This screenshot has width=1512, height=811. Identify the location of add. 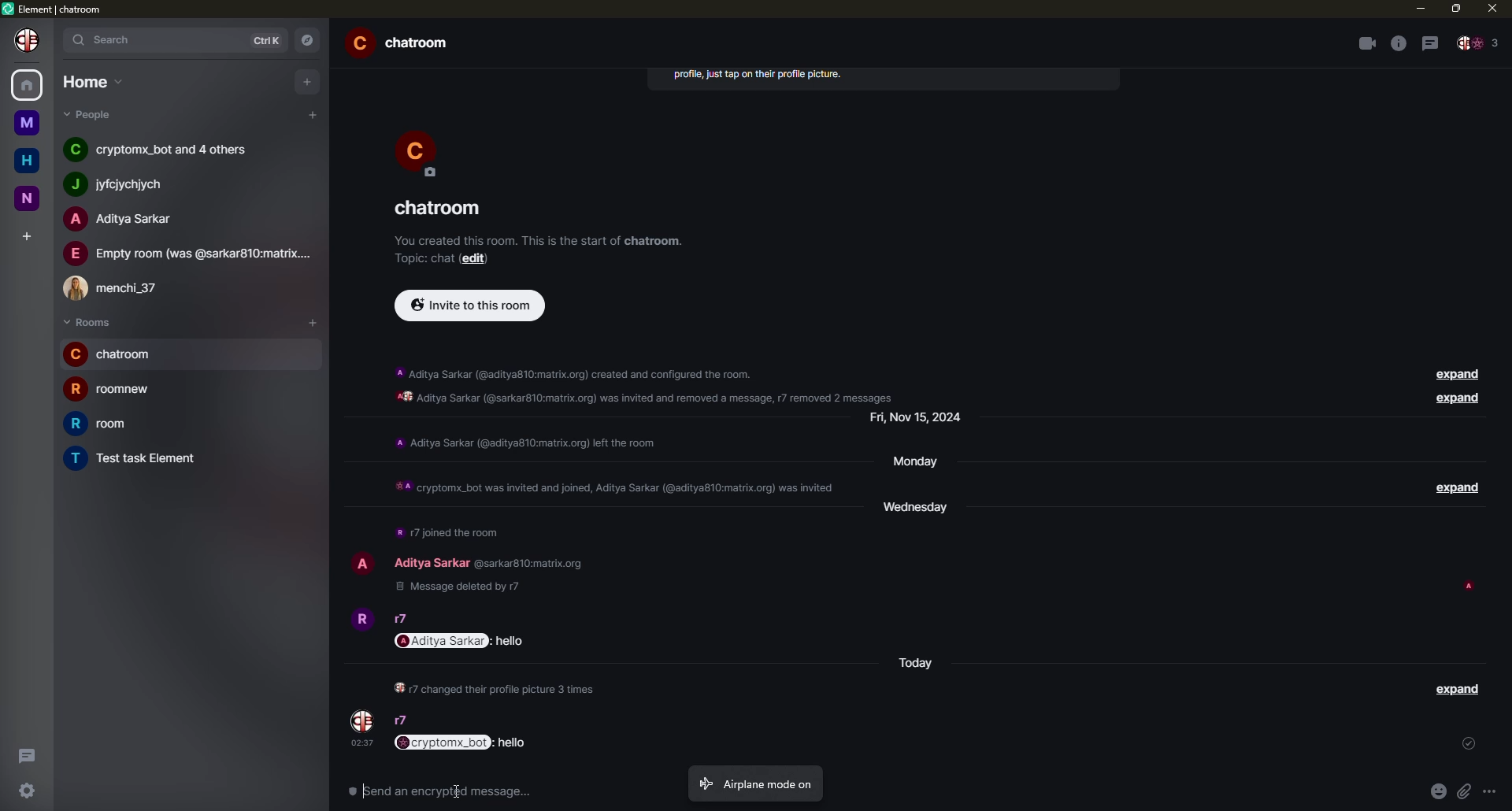
(312, 115).